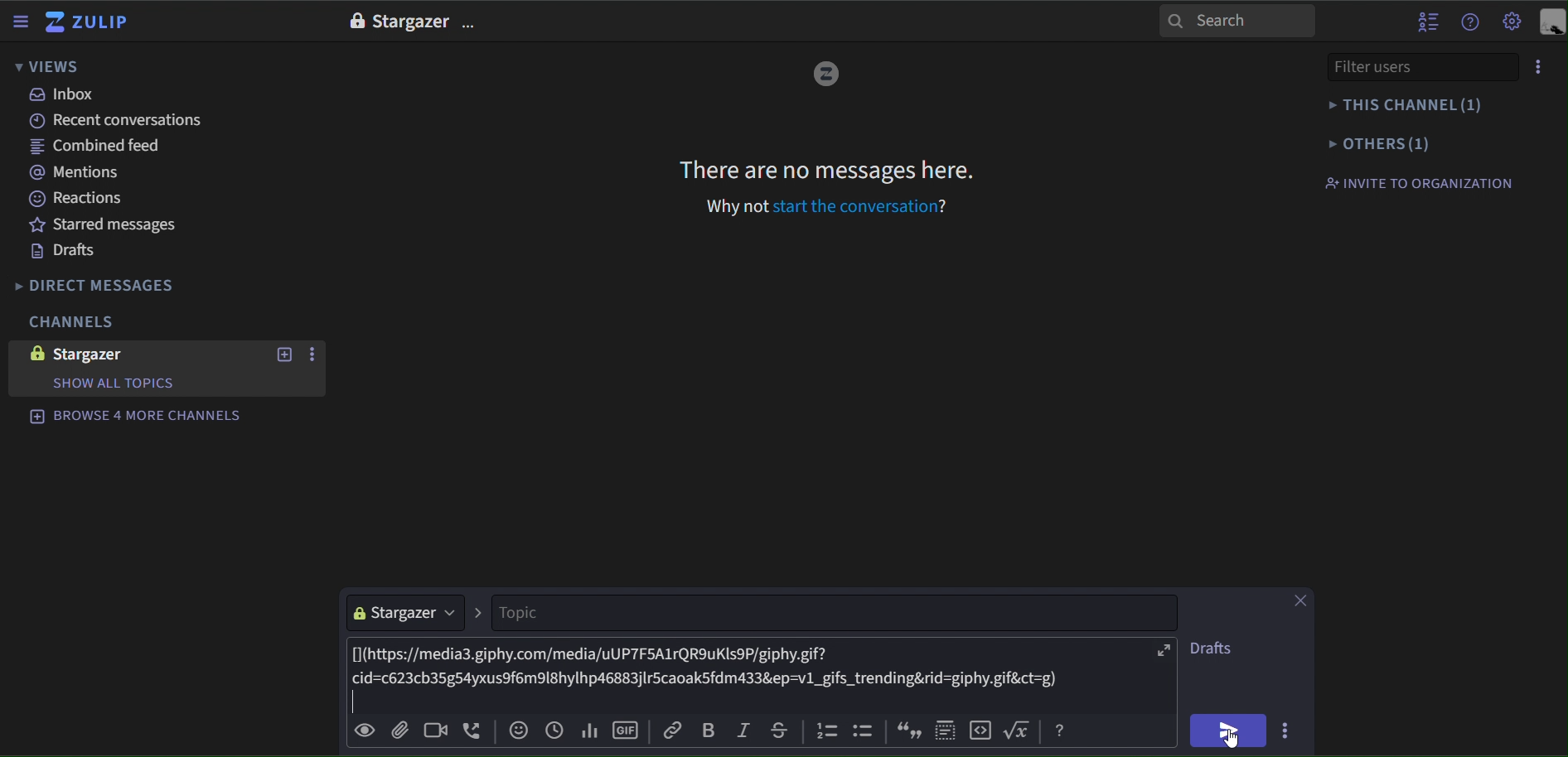 The height and width of the screenshot is (757, 1568). What do you see at coordinates (136, 415) in the screenshot?
I see `Browse 4 more channels` at bounding box center [136, 415].